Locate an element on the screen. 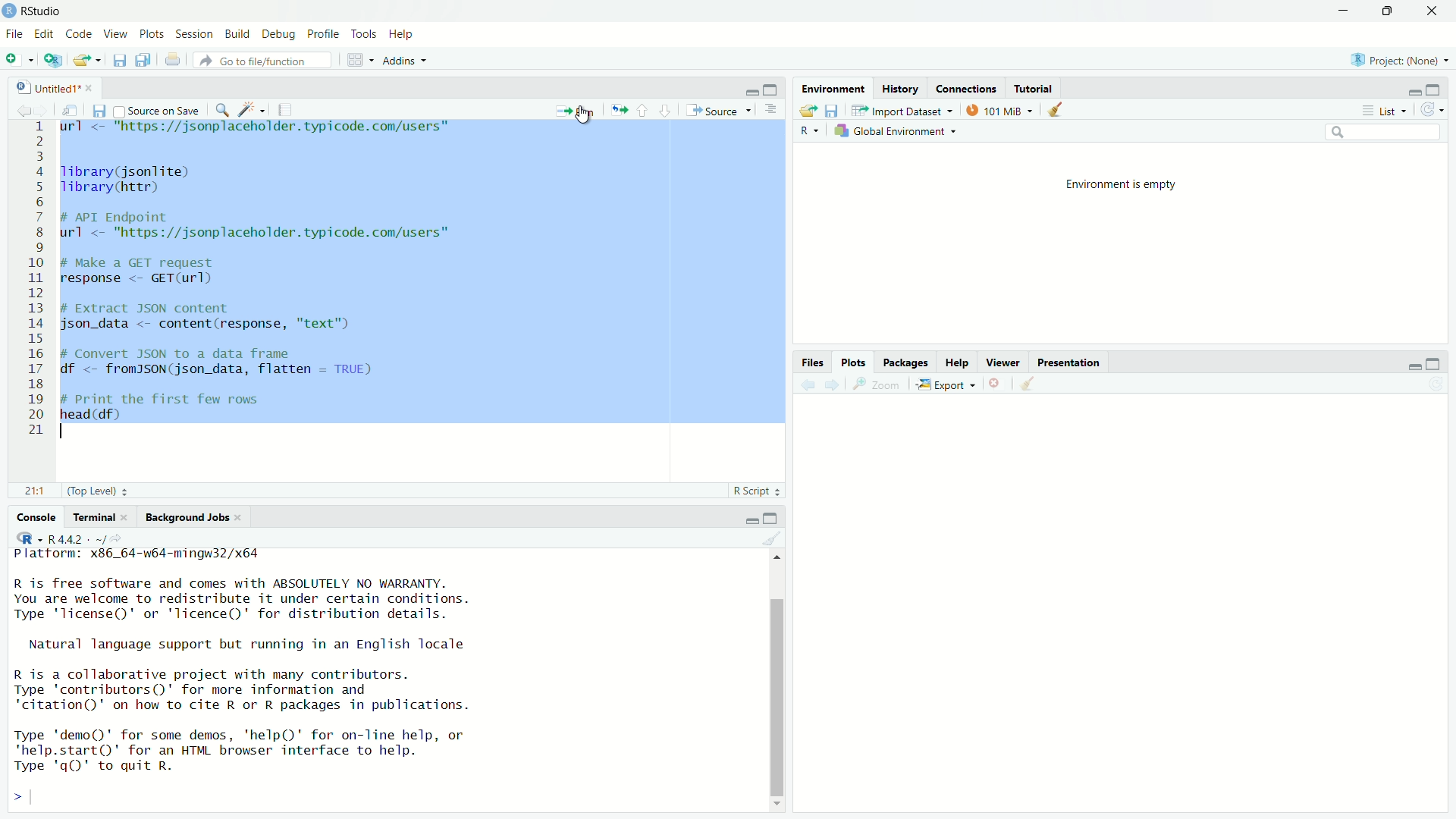 The height and width of the screenshot is (819, 1456). Save is located at coordinates (118, 58).